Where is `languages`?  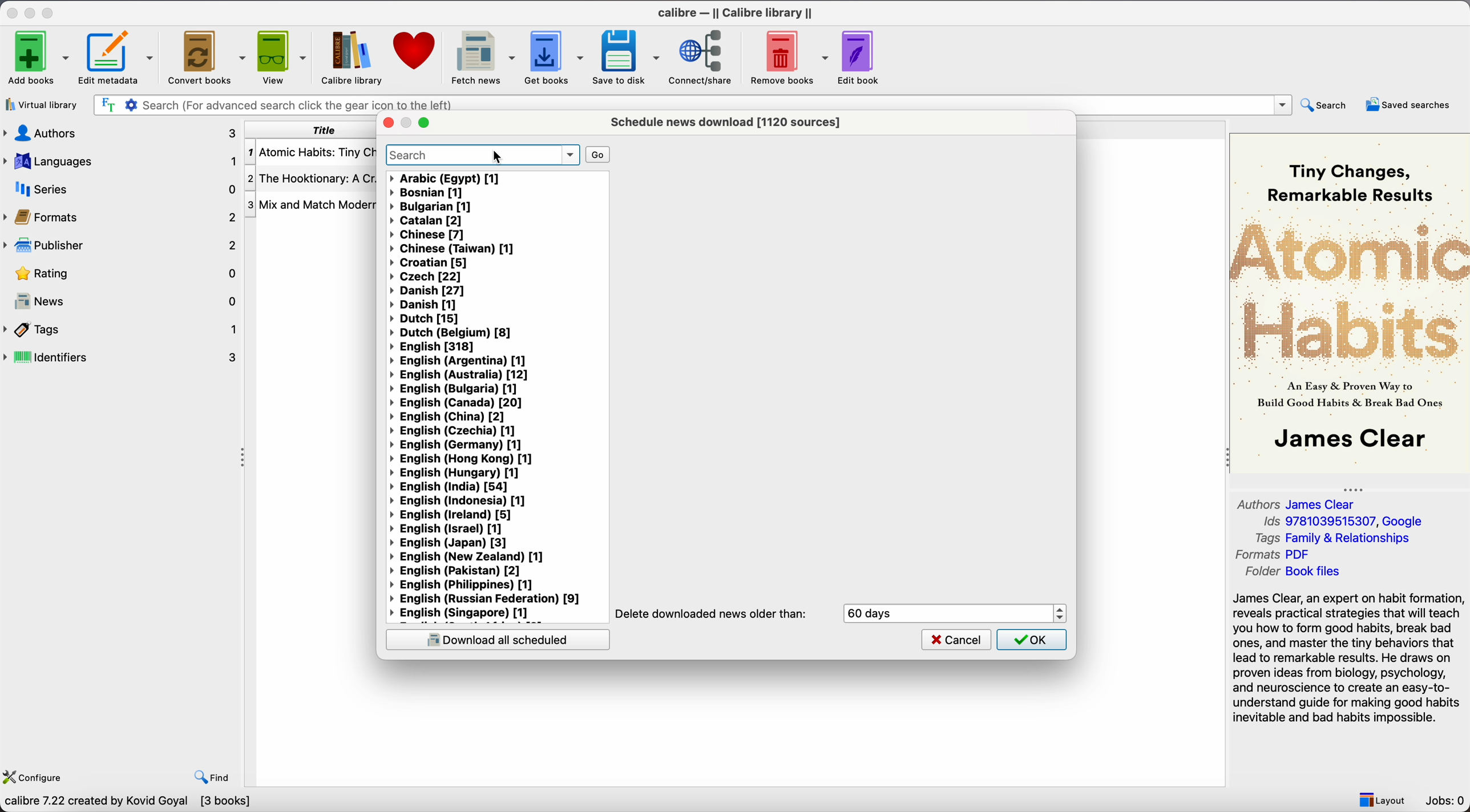 languages is located at coordinates (122, 161).